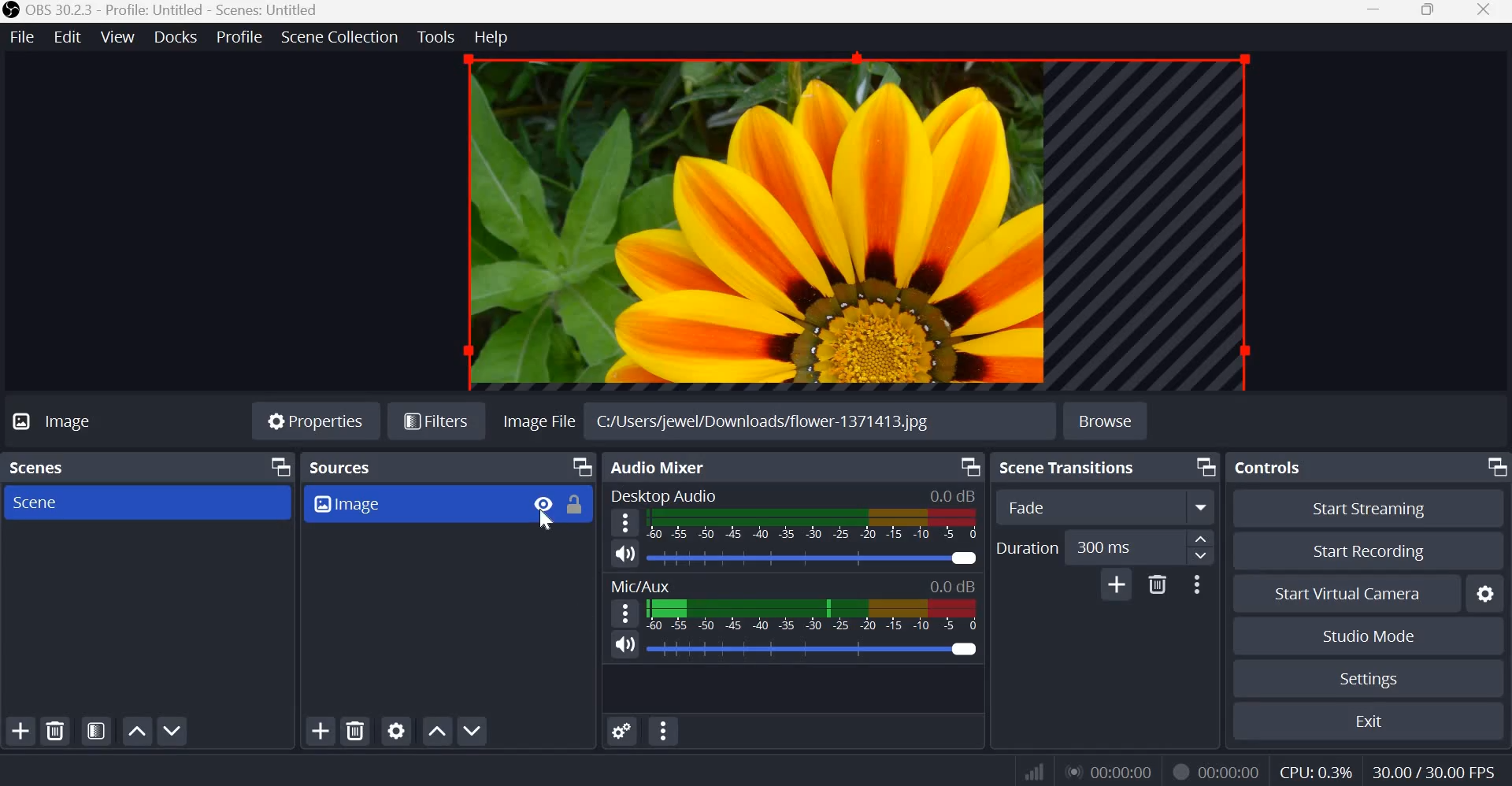  What do you see at coordinates (625, 553) in the screenshot?
I see `Speaker icon` at bounding box center [625, 553].